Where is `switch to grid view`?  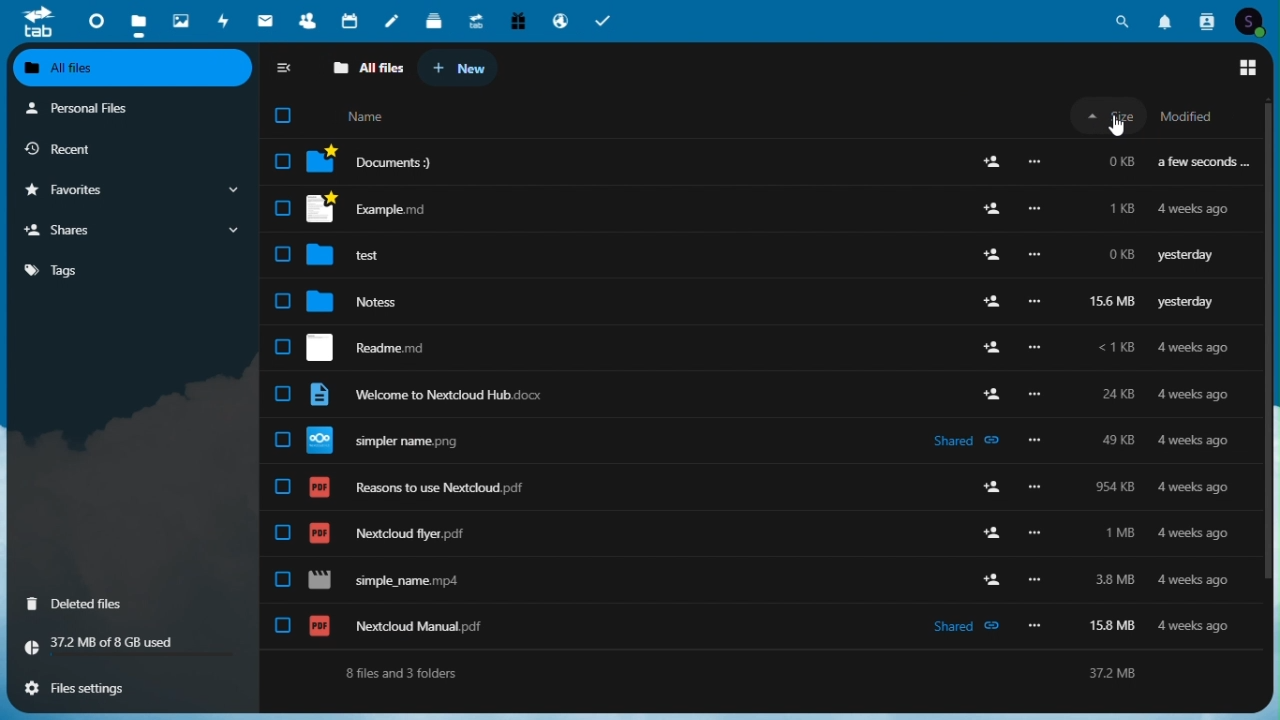
switch to grid view is located at coordinates (1248, 68).